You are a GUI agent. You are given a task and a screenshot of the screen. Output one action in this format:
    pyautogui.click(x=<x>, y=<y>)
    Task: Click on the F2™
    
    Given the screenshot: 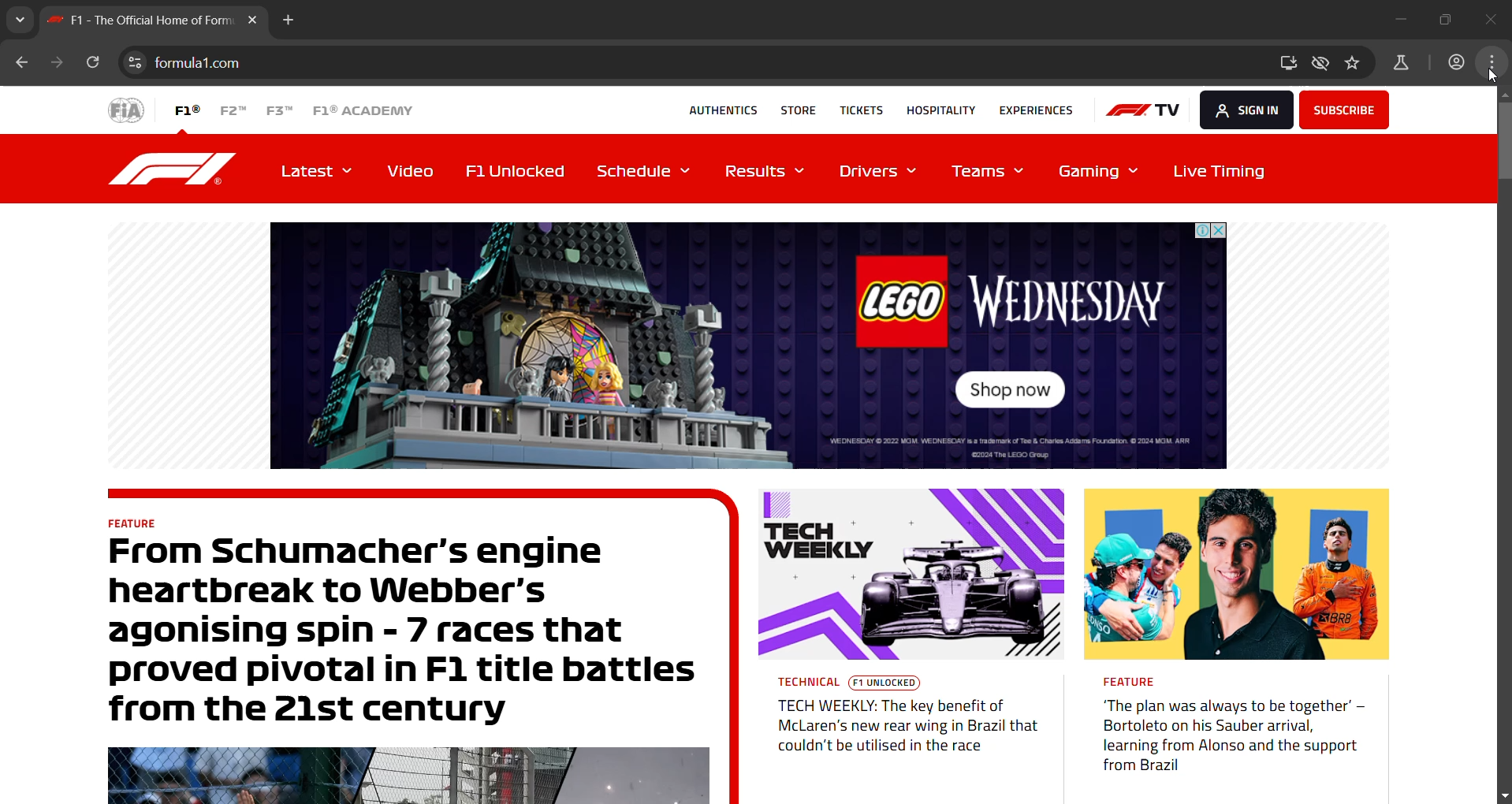 What is the action you would take?
    pyautogui.click(x=229, y=111)
    